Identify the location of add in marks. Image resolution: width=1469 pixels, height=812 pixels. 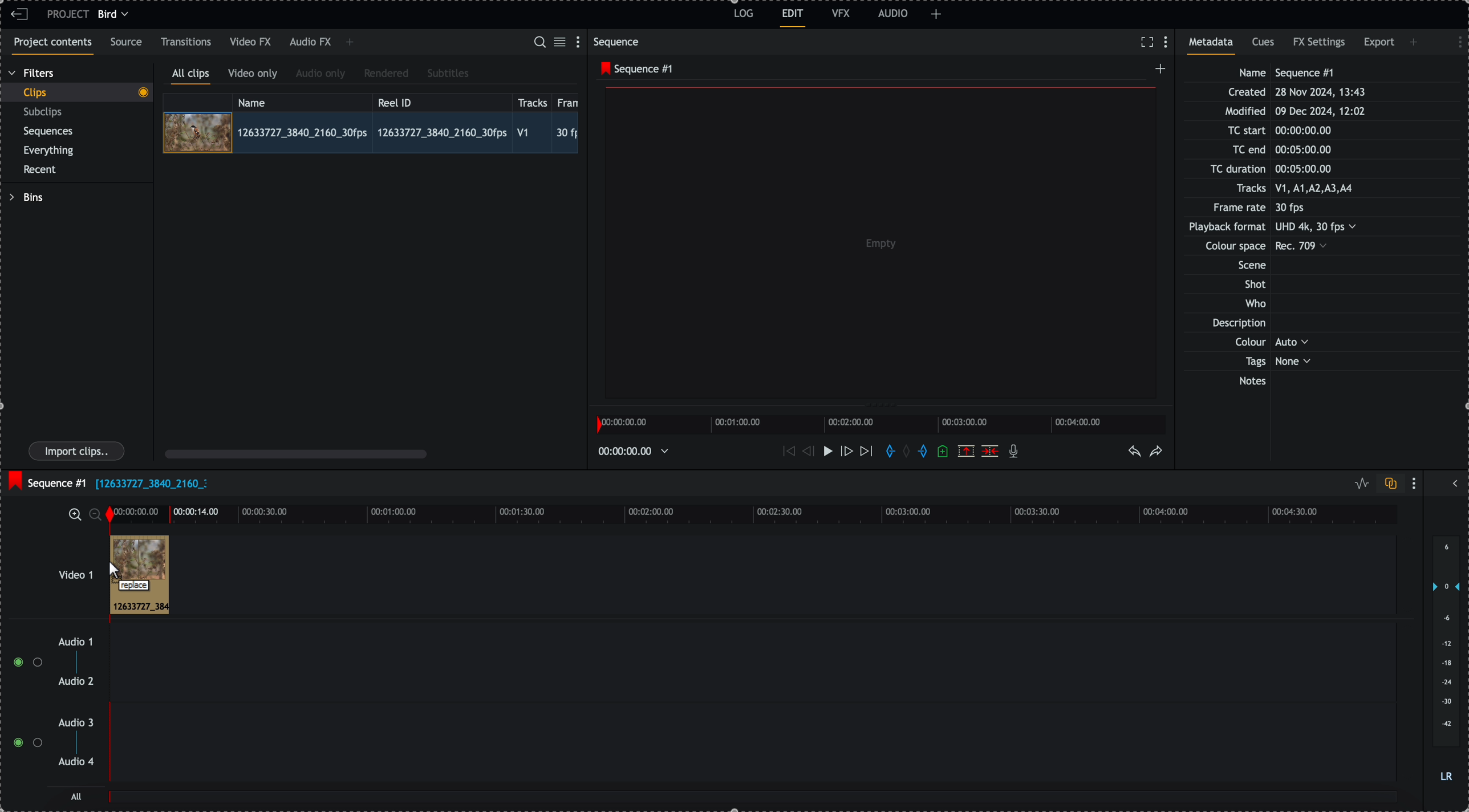
(888, 452).